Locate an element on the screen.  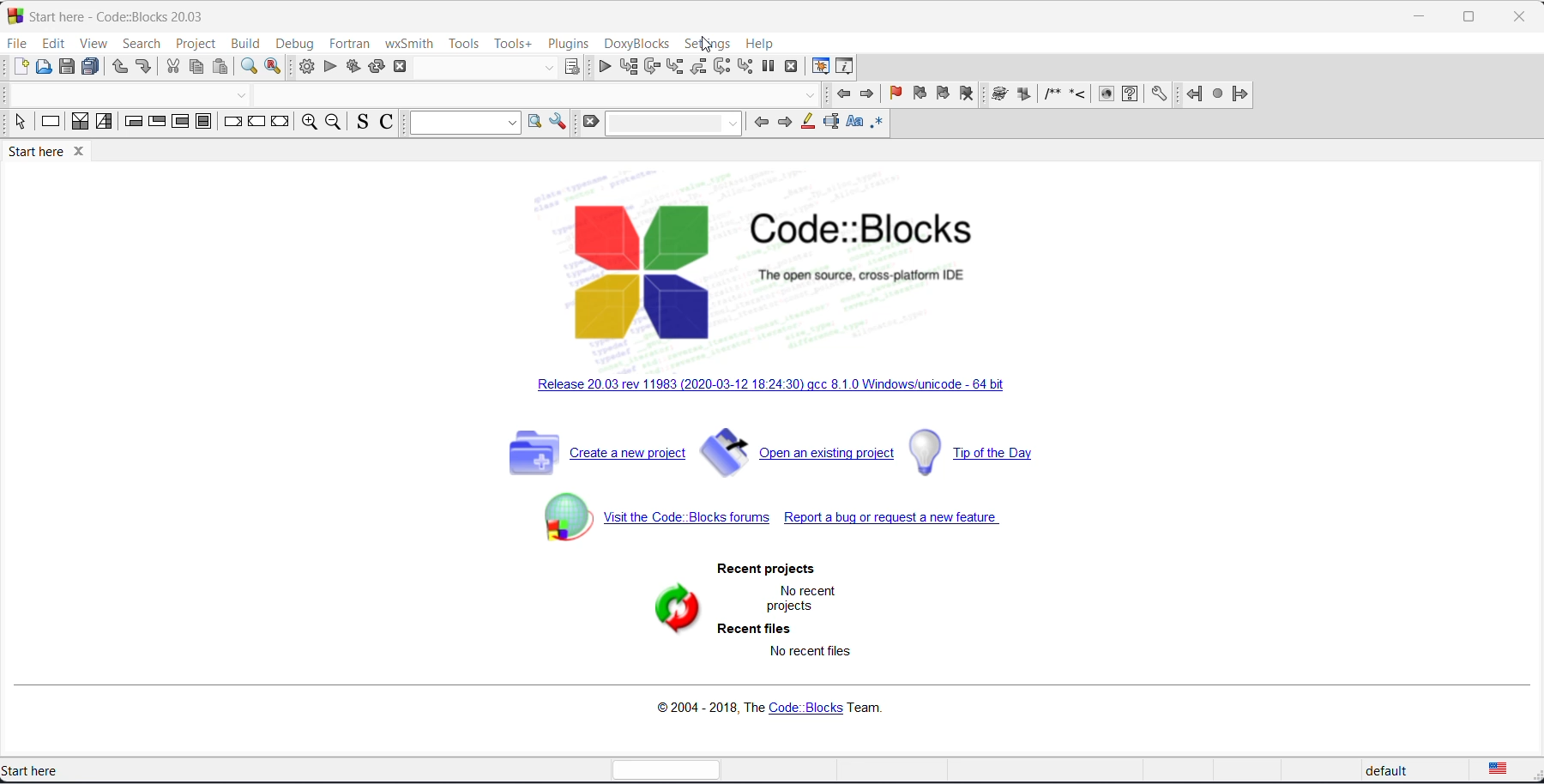
next line is located at coordinates (651, 66).